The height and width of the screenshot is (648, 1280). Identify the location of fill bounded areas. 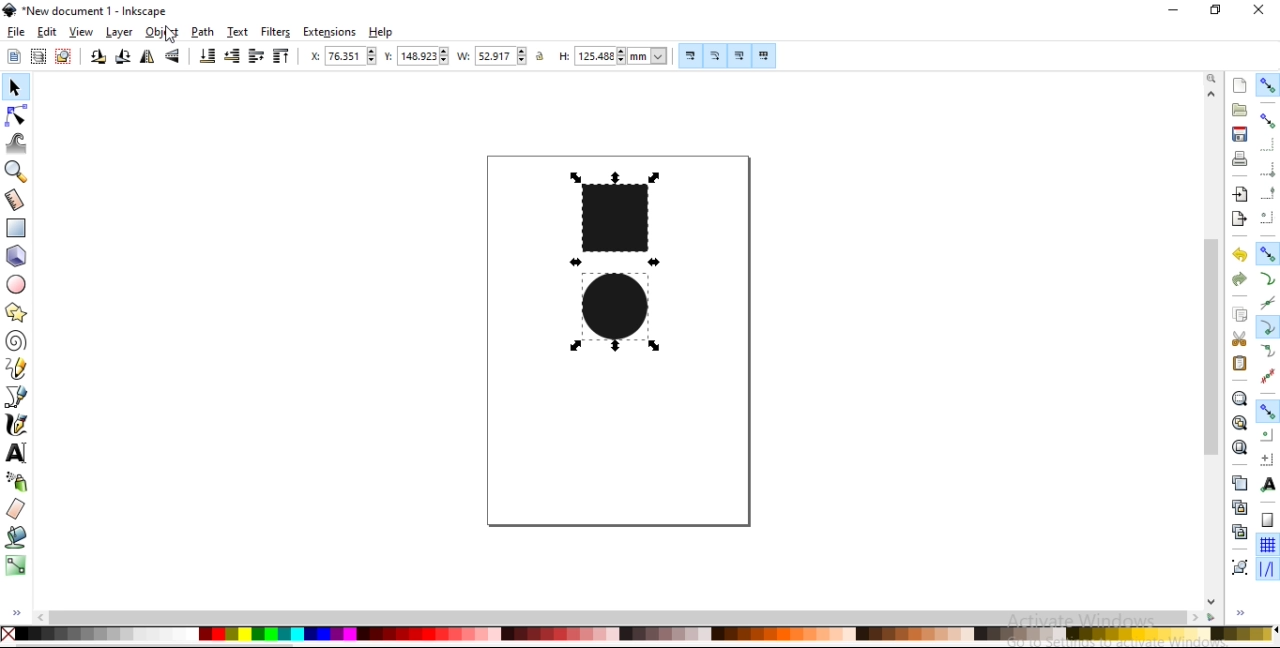
(17, 538).